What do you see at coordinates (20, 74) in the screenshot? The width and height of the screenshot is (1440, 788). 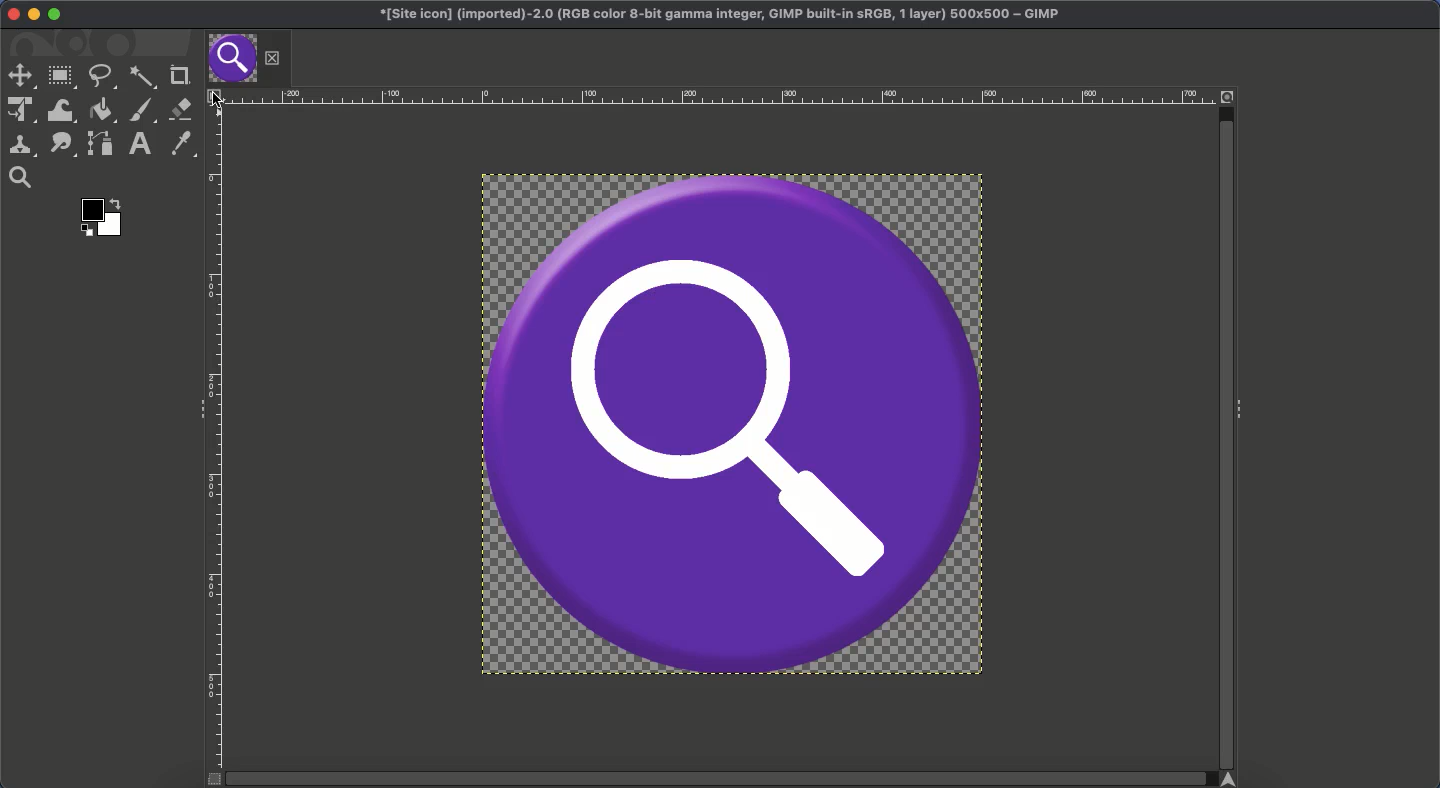 I see `Move tool` at bounding box center [20, 74].